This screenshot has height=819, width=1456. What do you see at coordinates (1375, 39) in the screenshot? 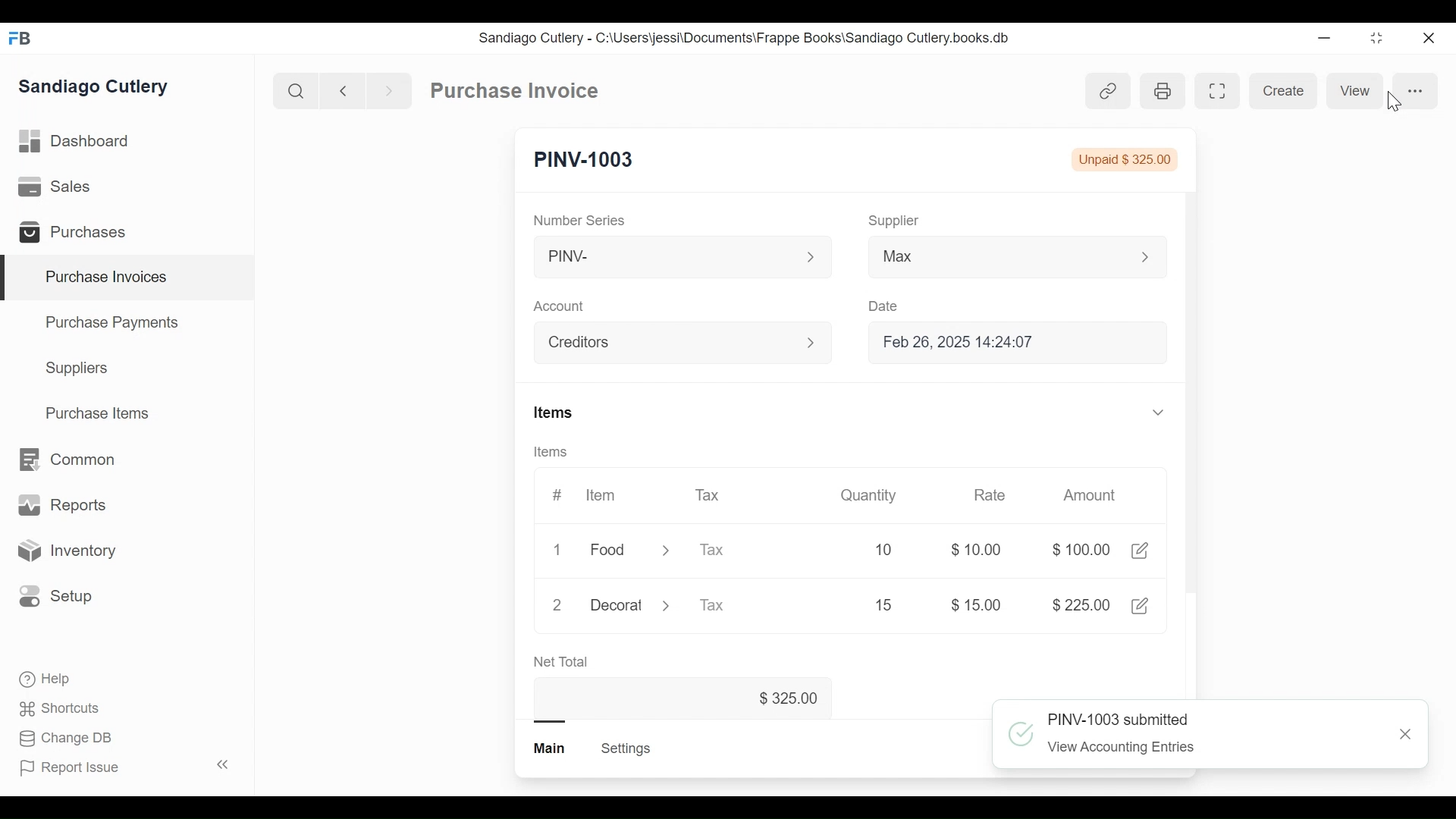
I see `restore` at bounding box center [1375, 39].